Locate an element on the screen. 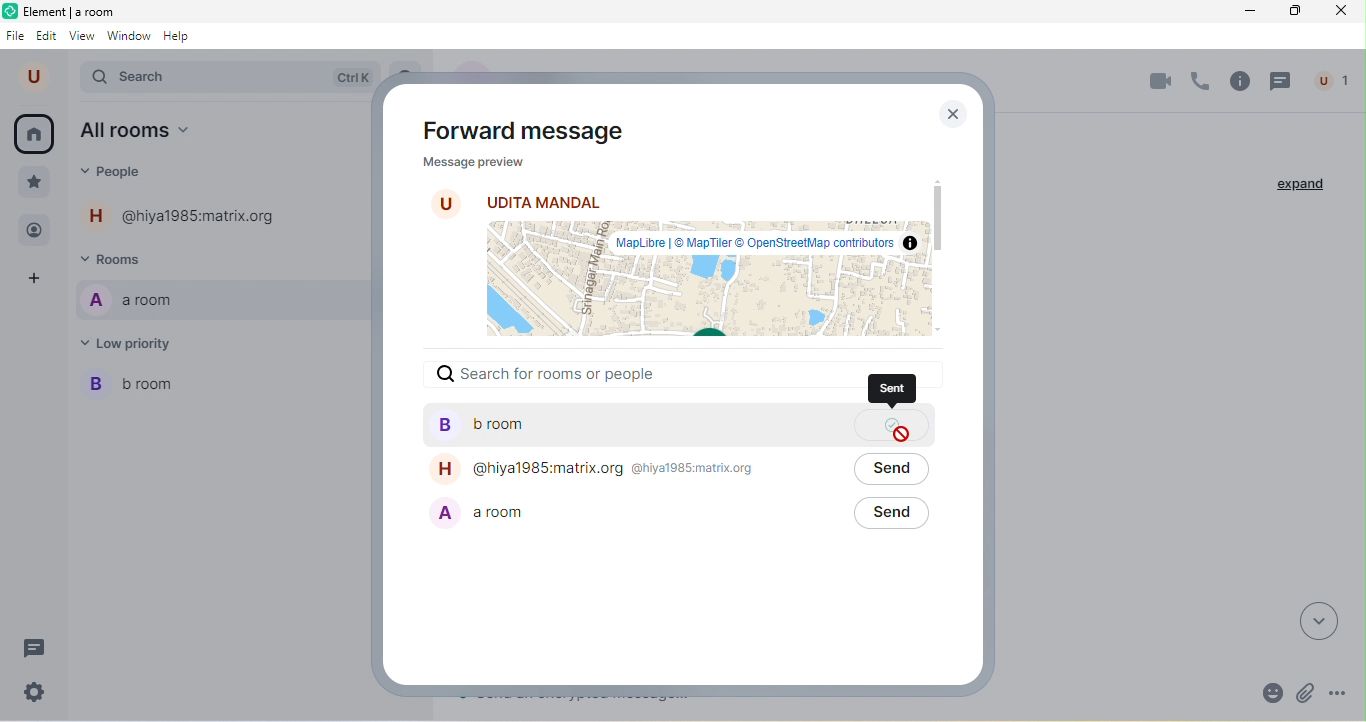 This screenshot has width=1366, height=722. settings is located at coordinates (38, 691).